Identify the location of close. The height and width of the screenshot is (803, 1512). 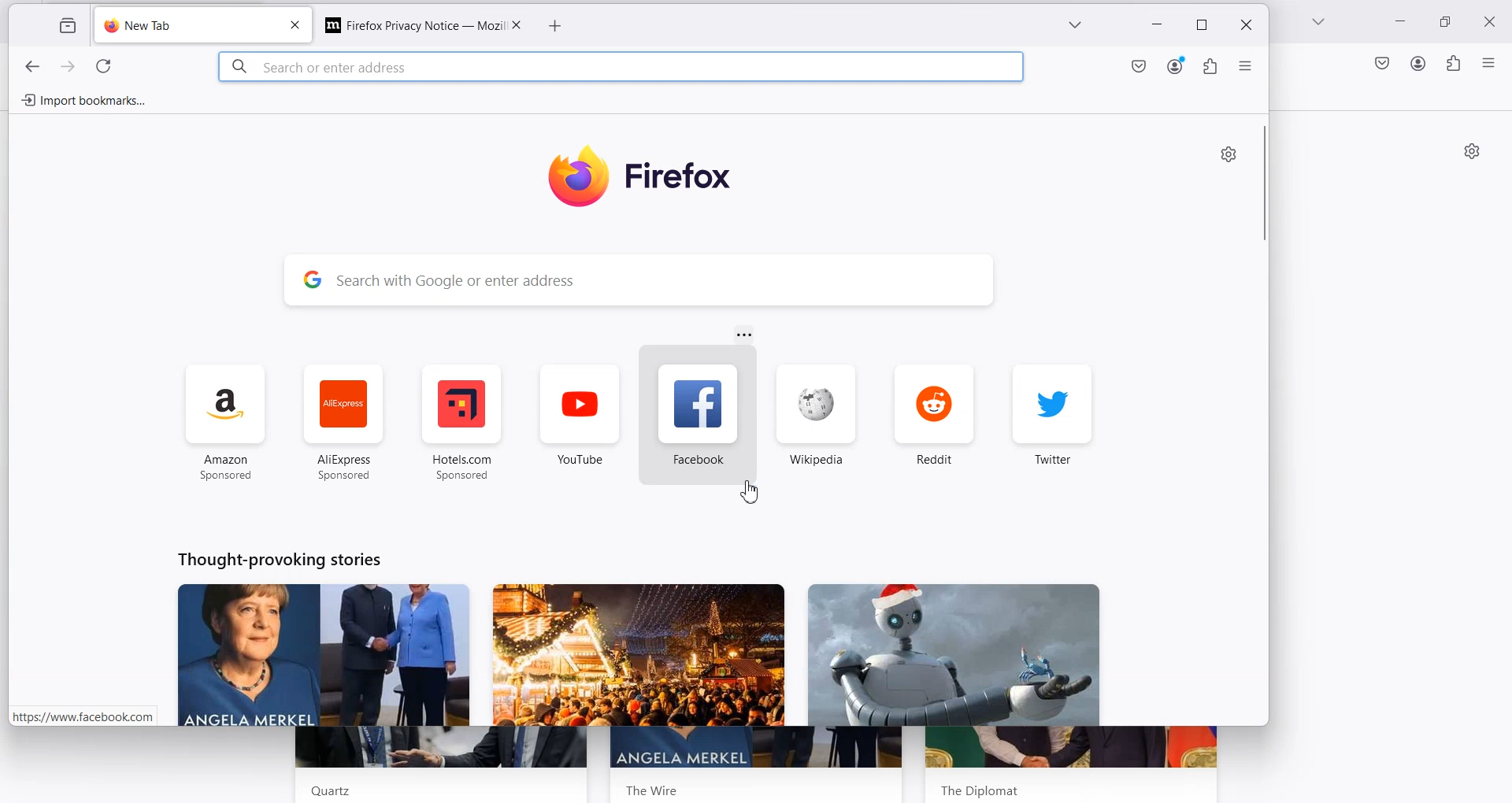
(1243, 26).